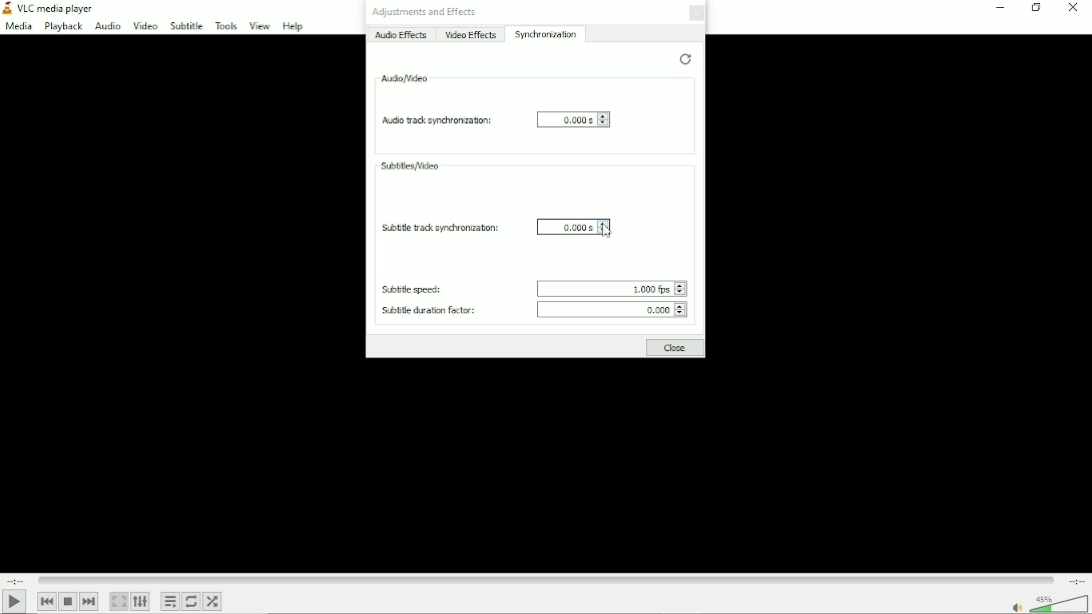 The image size is (1092, 614). What do you see at coordinates (426, 311) in the screenshot?
I see `Subtitle duration factor` at bounding box center [426, 311].